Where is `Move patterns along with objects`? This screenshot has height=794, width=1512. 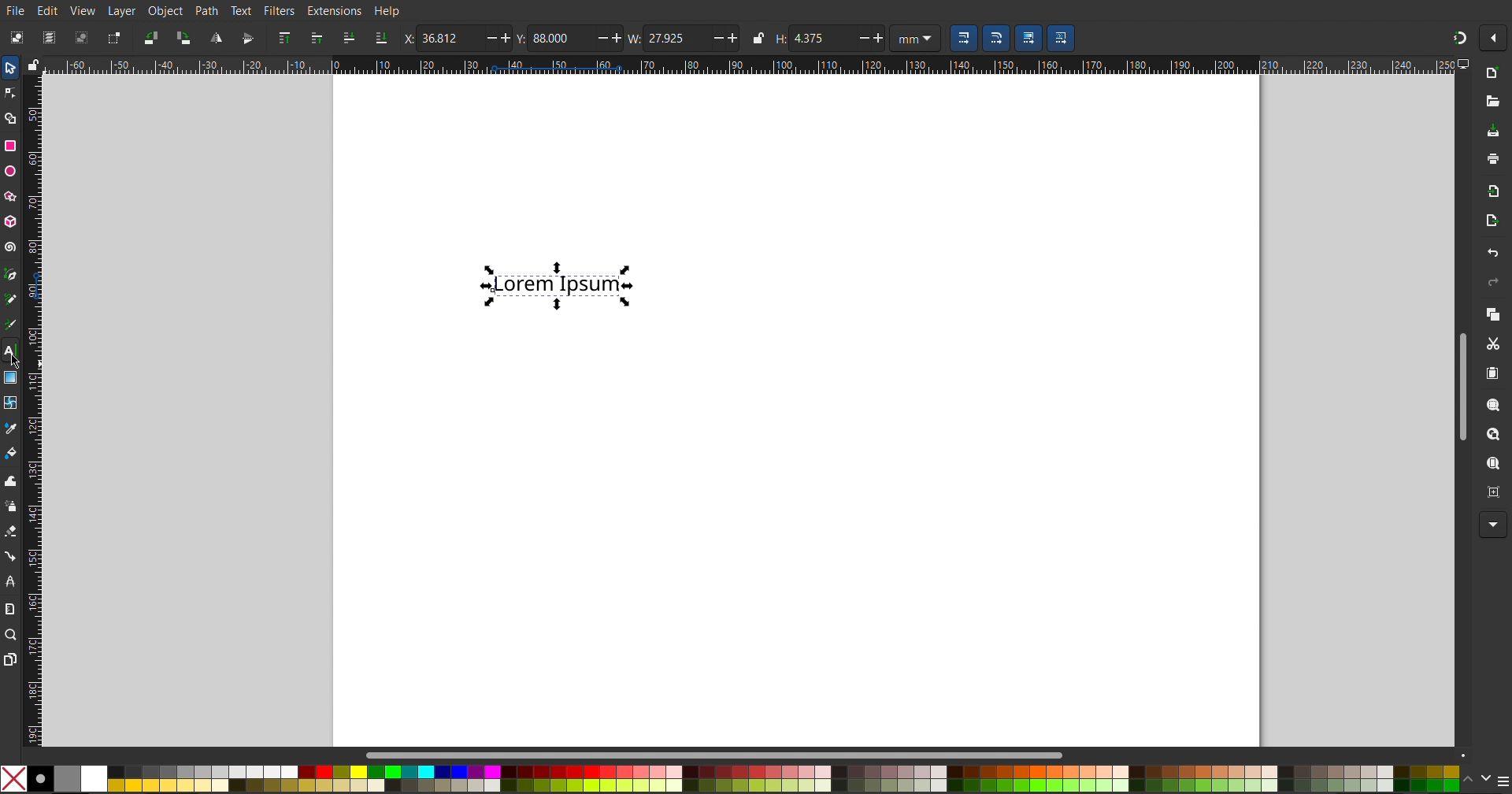
Move patterns along with objects is located at coordinates (1062, 39).